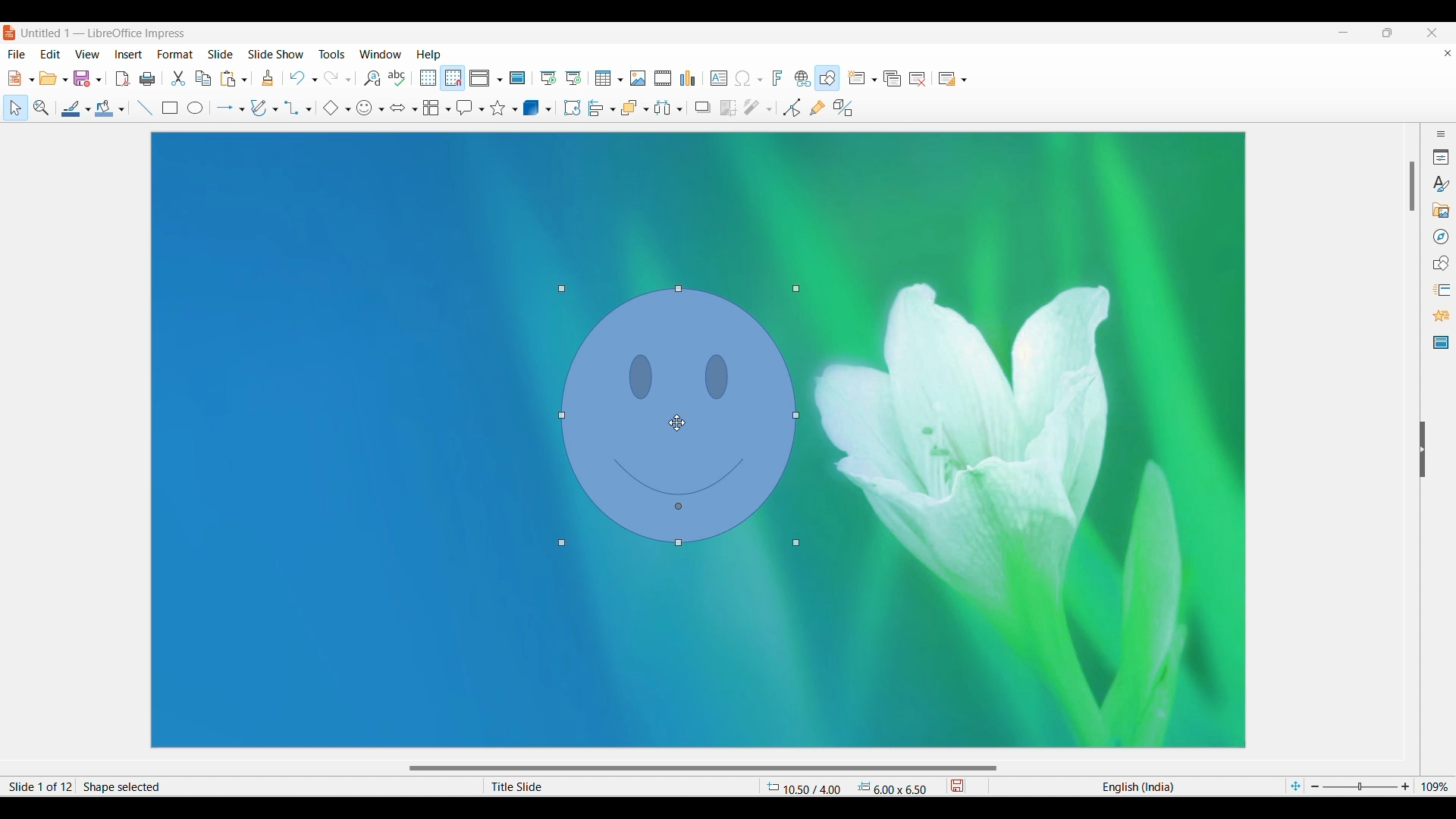 The width and height of the screenshot is (1456, 819). What do you see at coordinates (104, 33) in the screenshot?
I see `Untitled 1 - LibreOffice Impress` at bounding box center [104, 33].